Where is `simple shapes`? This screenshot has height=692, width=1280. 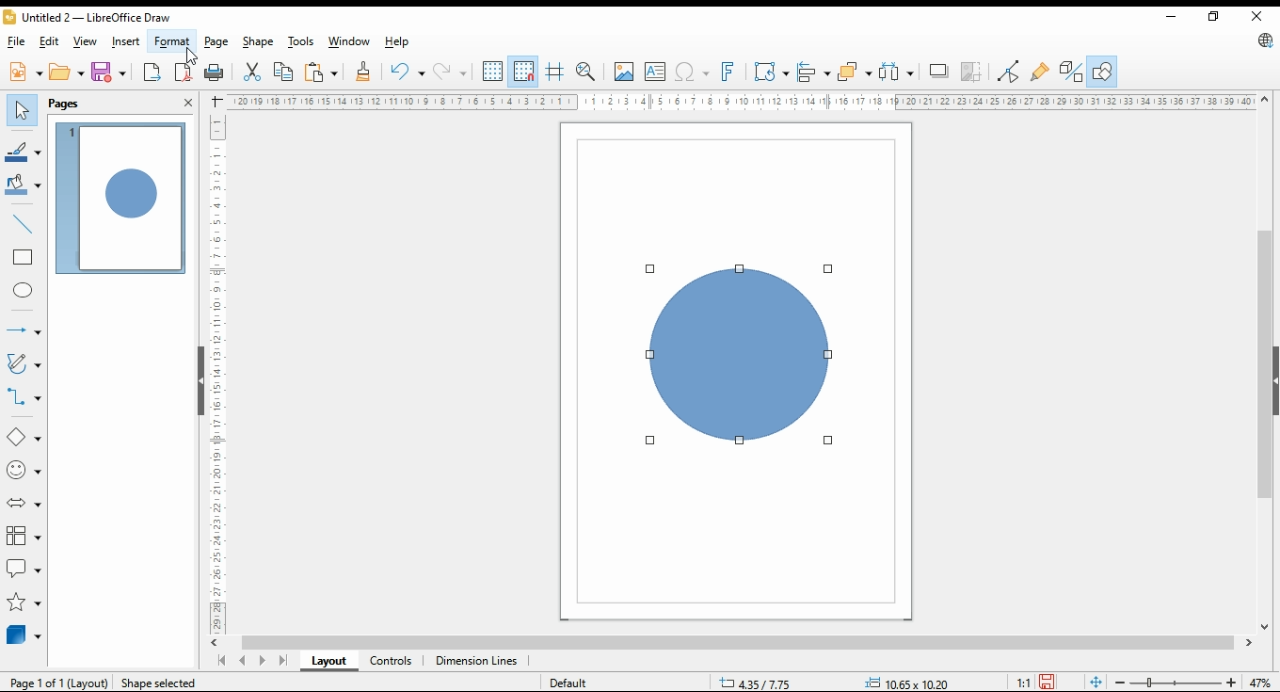
simple shapes is located at coordinates (22, 436).